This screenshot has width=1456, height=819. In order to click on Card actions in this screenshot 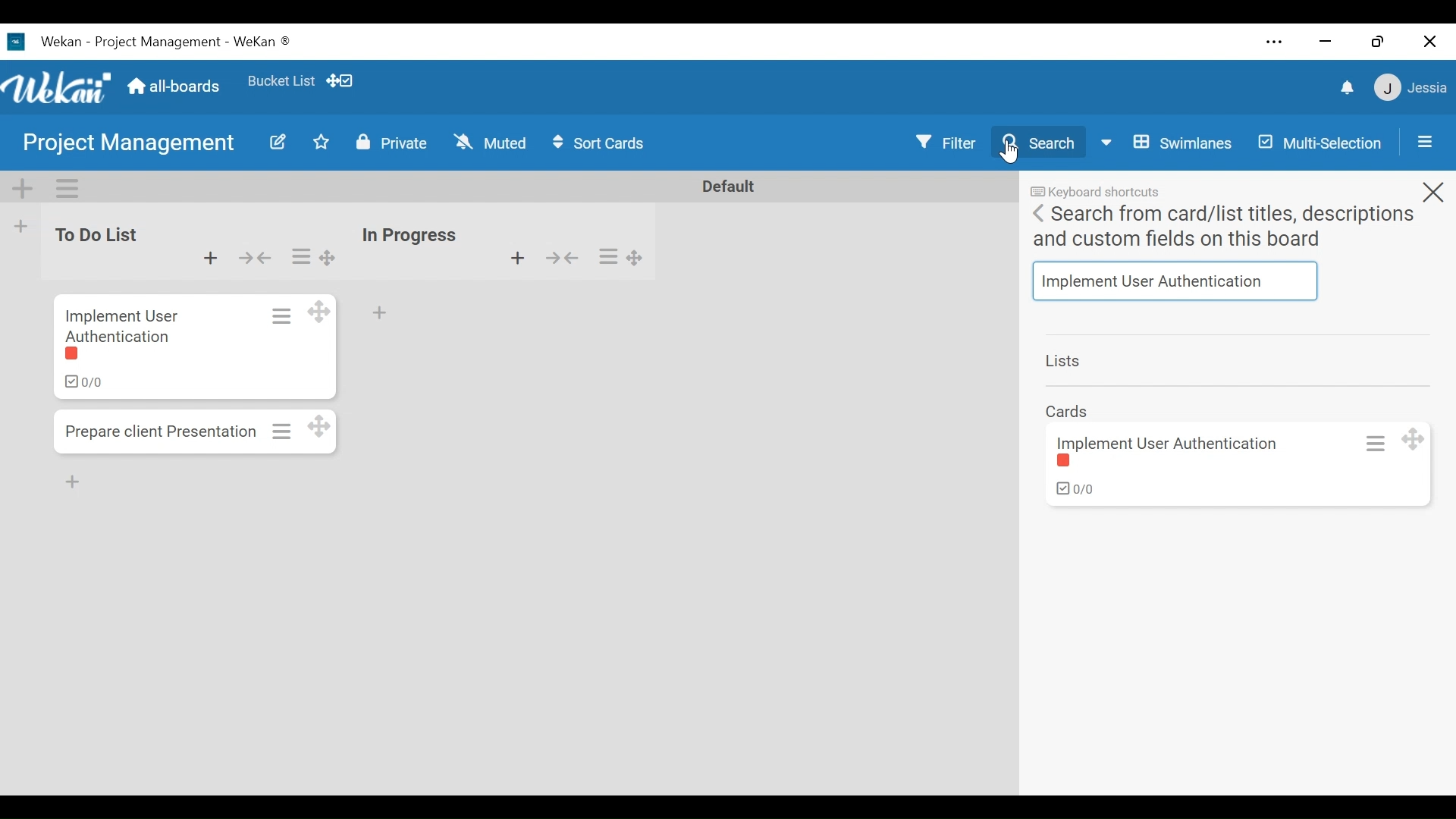, I will do `click(278, 315)`.